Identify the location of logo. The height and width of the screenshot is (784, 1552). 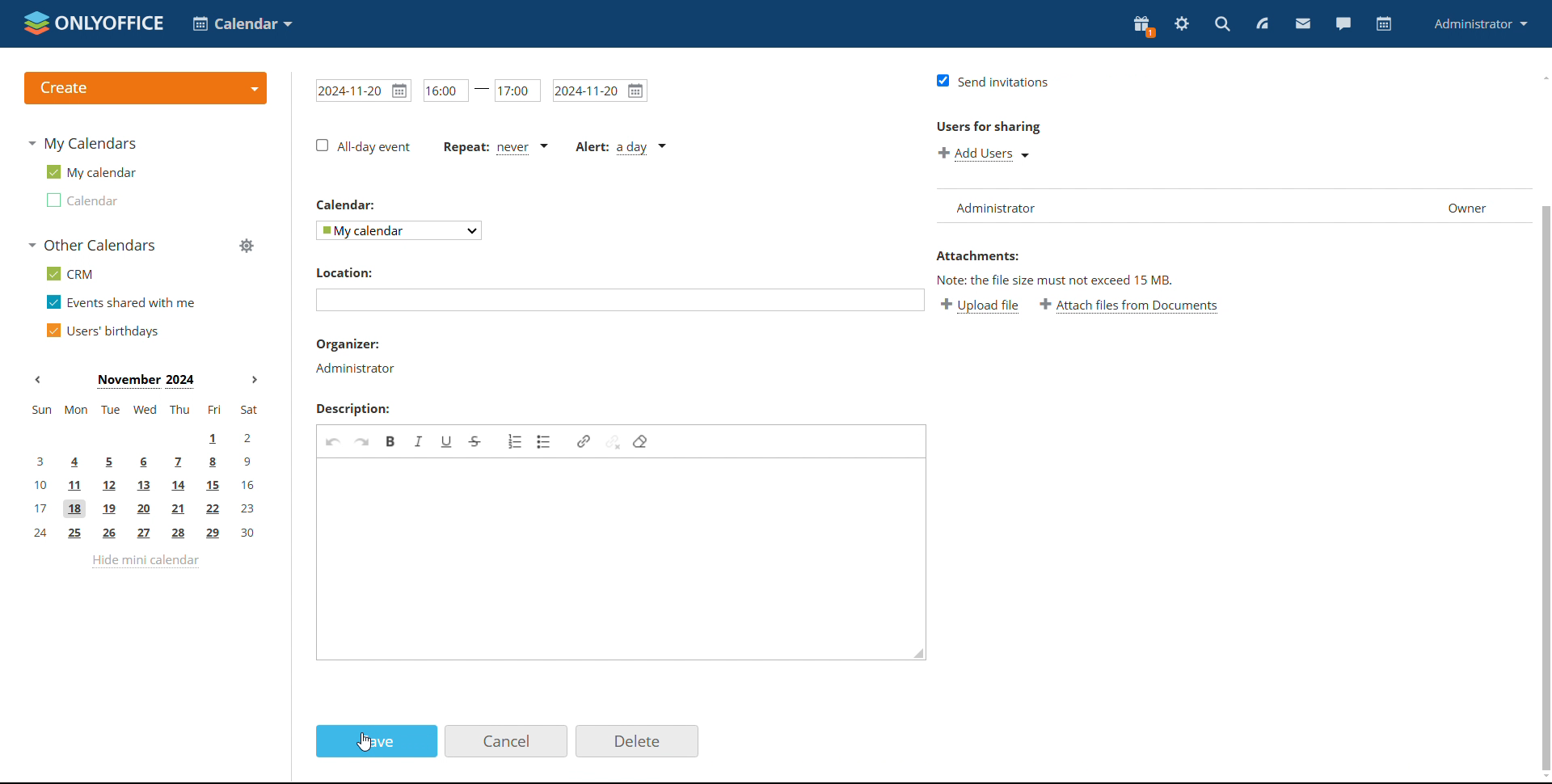
(91, 23).